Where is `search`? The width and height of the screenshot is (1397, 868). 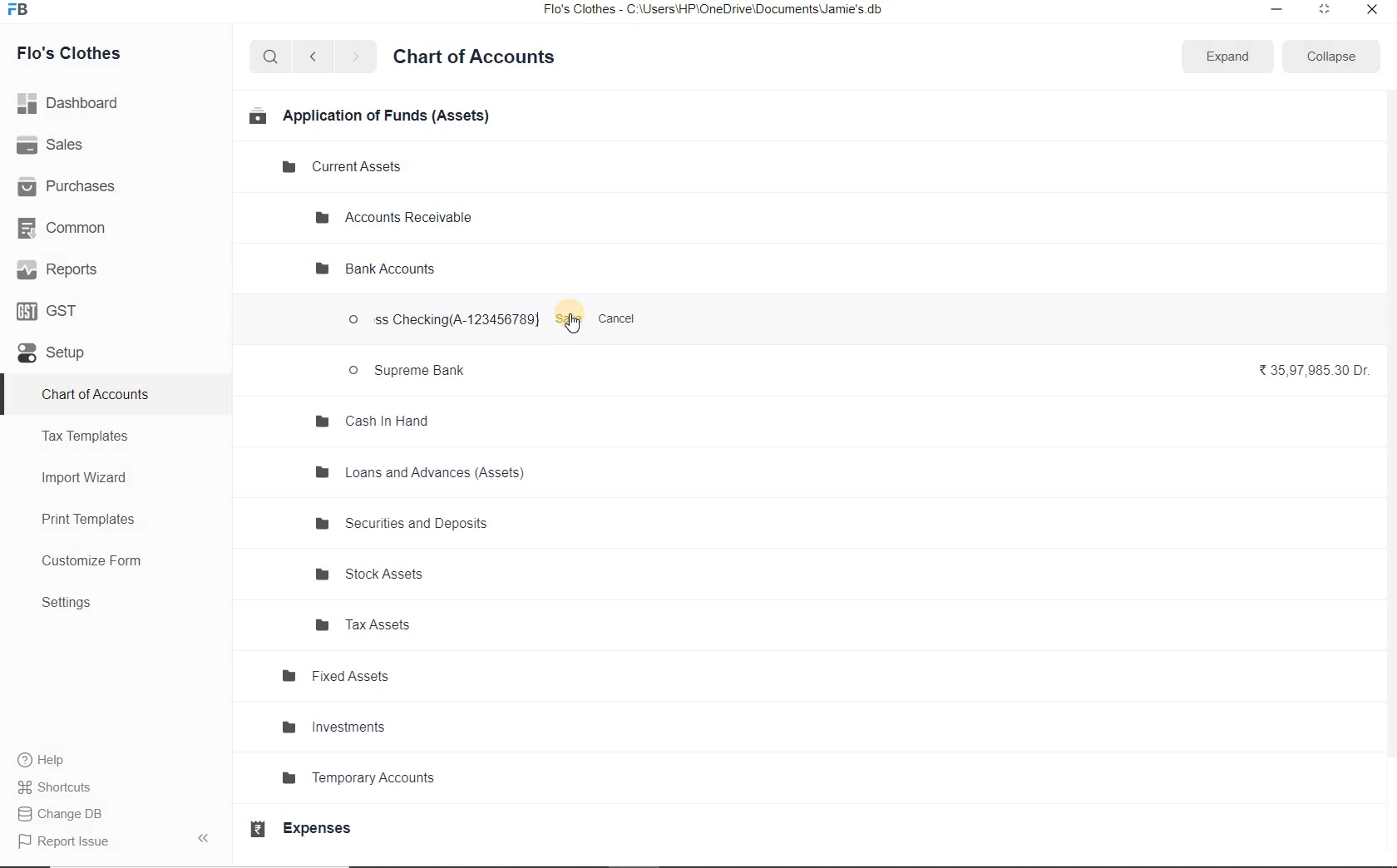
search is located at coordinates (271, 57).